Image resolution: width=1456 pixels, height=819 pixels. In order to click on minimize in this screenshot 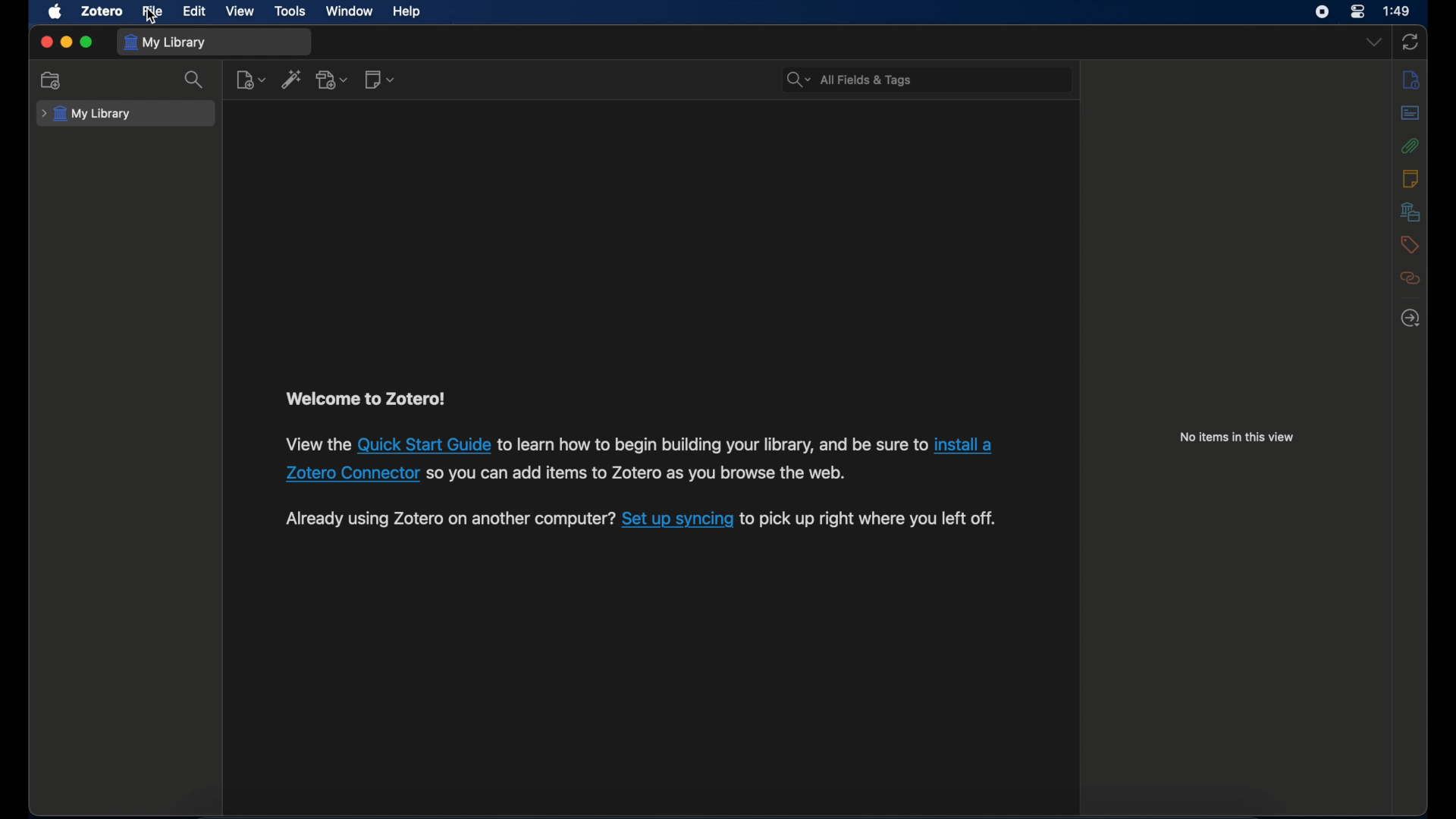, I will do `click(65, 43)`.